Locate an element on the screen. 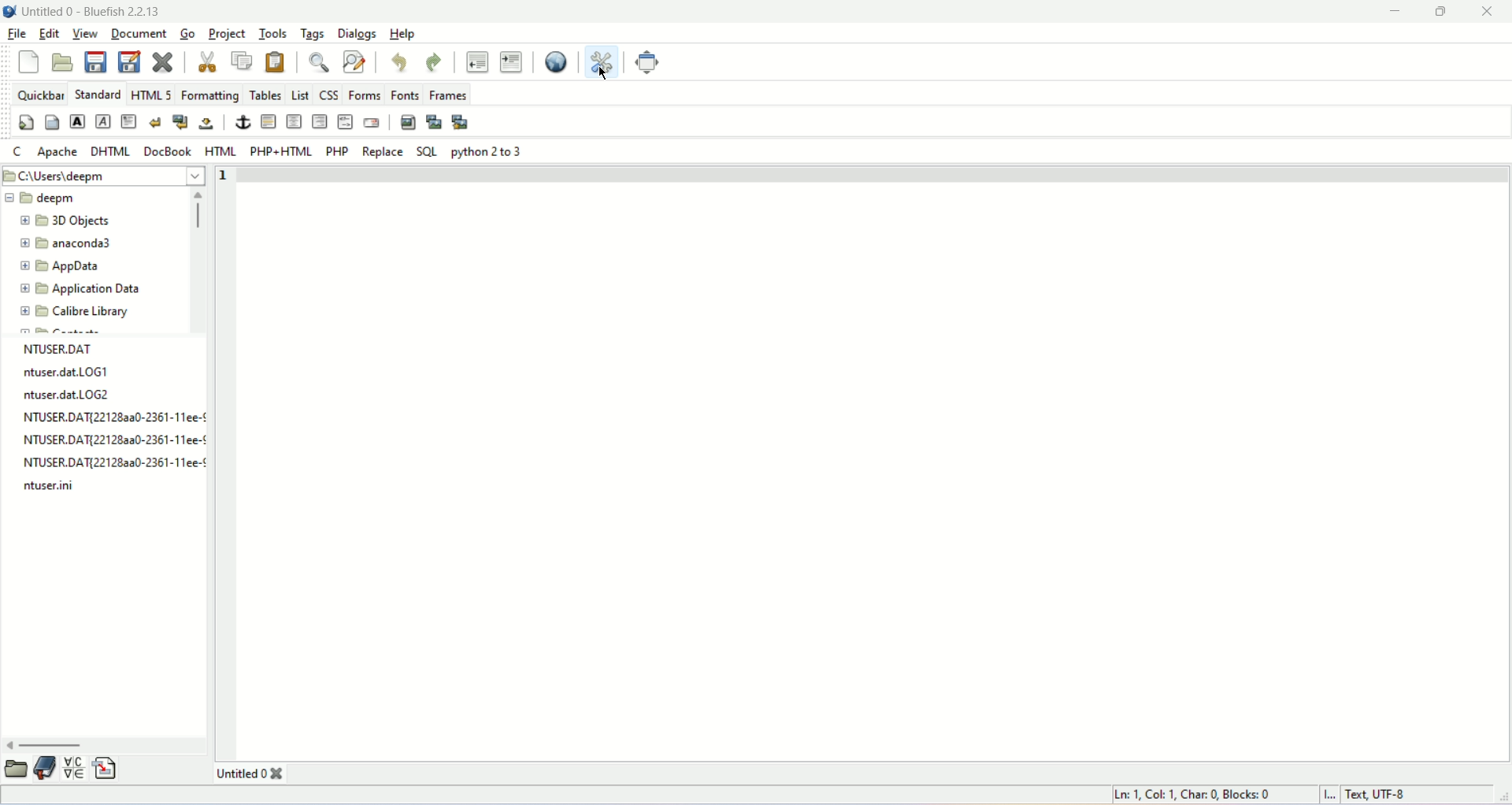 This screenshot has width=1512, height=805. NTUSER.DAT{22128aa0-2361-11ee-¢ is located at coordinates (109, 440).